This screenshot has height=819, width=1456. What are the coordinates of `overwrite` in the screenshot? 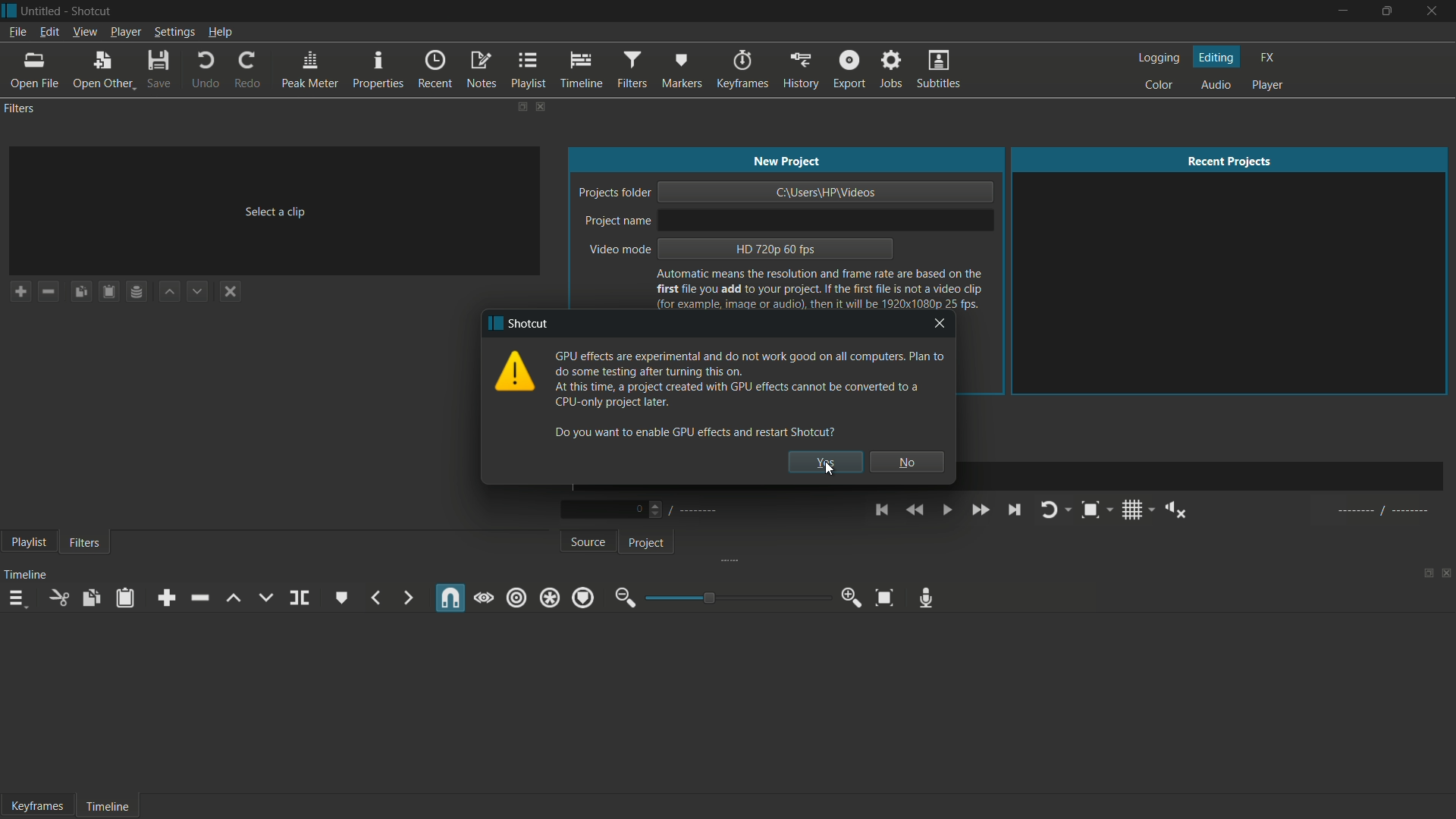 It's located at (265, 598).